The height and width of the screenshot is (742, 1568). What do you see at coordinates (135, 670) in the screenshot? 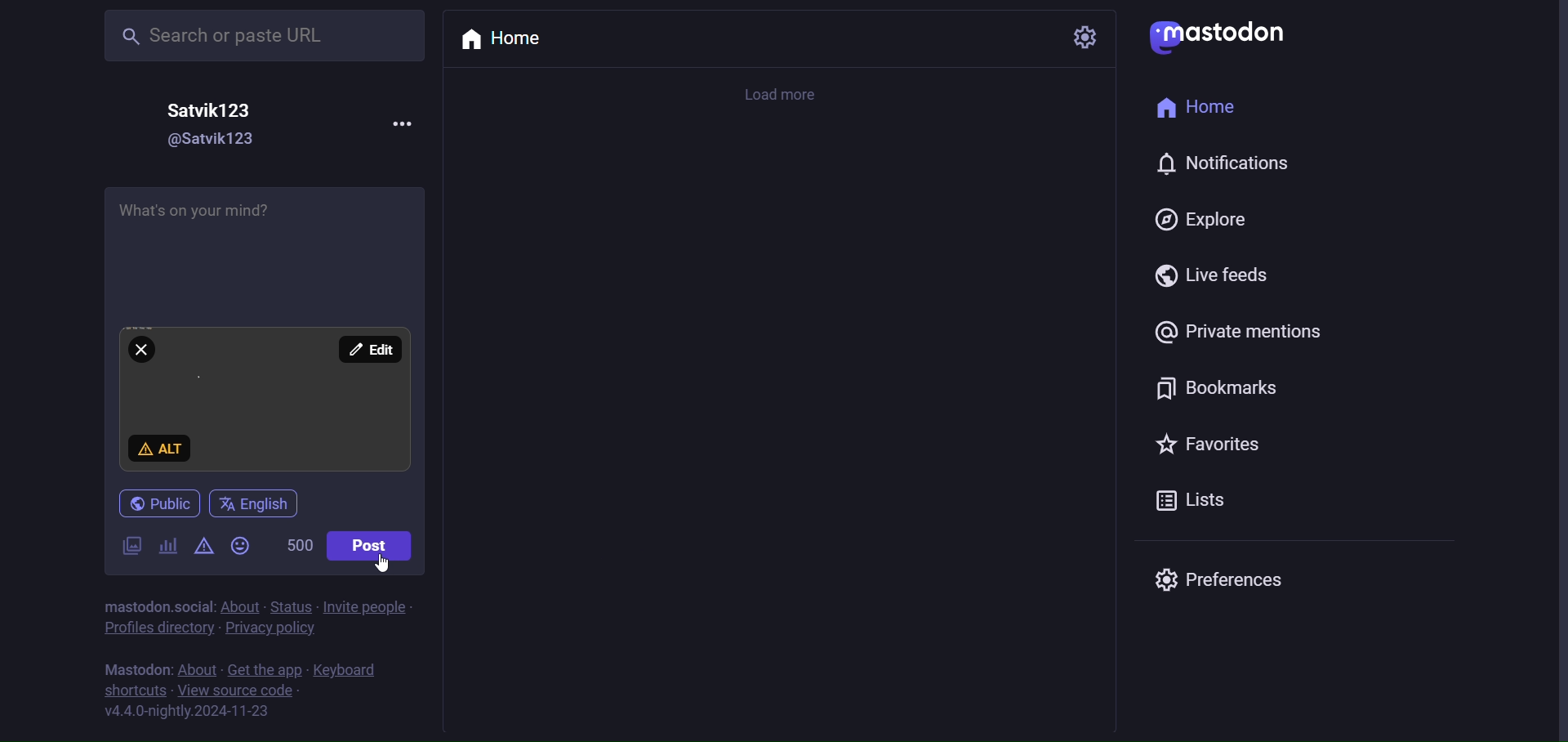
I see `mastodon` at bounding box center [135, 670].